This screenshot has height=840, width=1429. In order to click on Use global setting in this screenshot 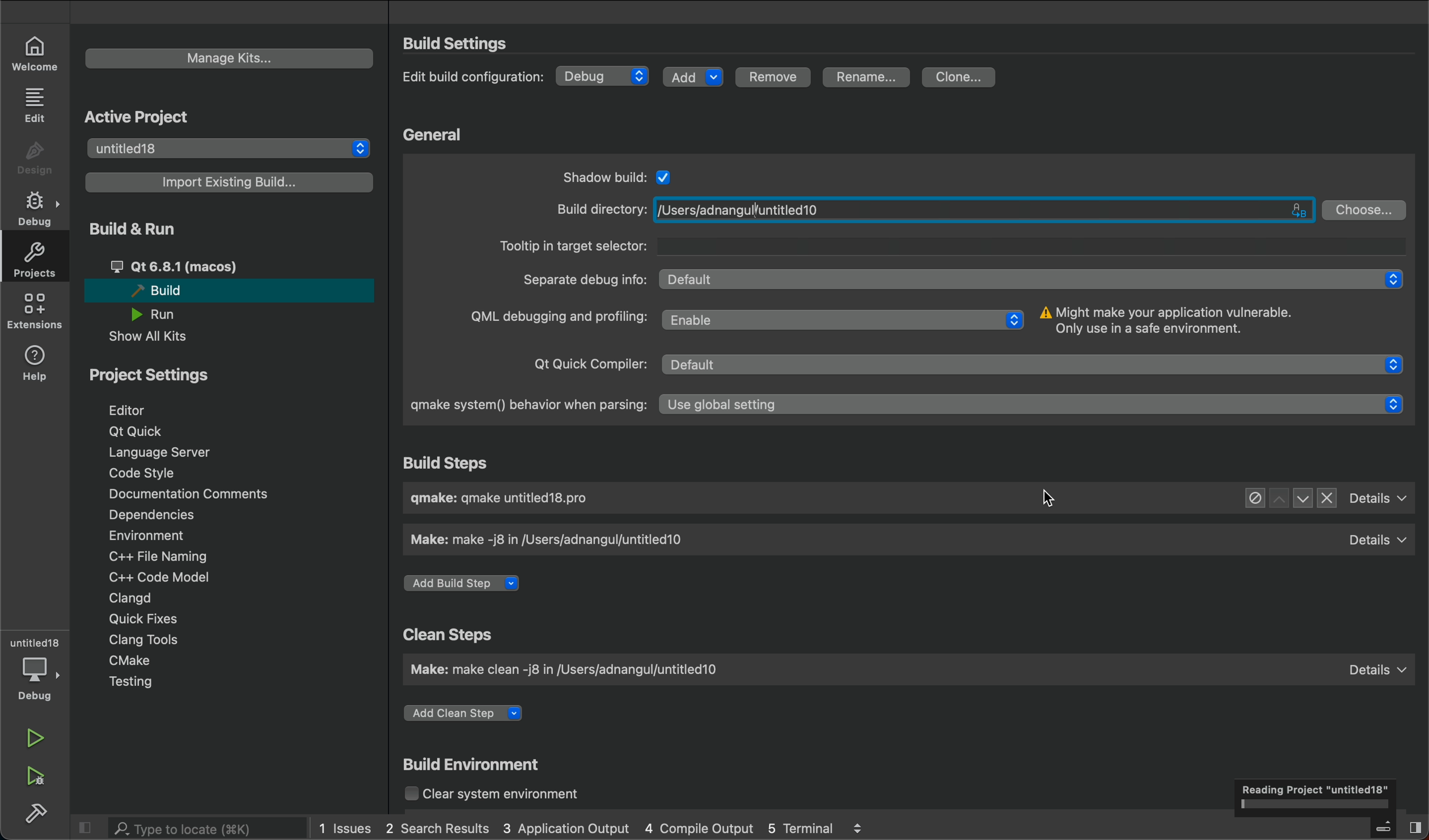, I will do `click(1036, 406)`.